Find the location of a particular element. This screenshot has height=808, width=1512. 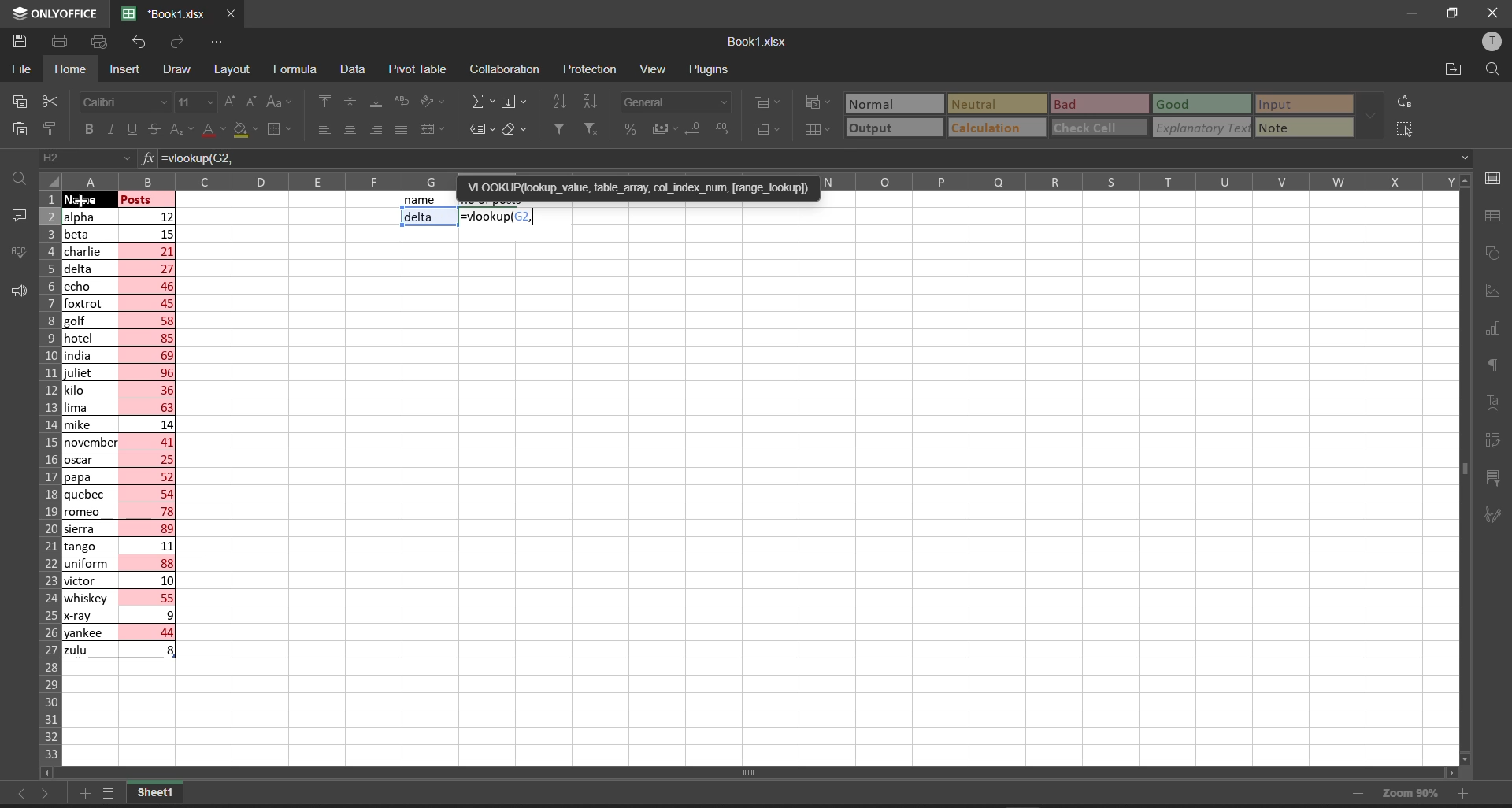

Neutral is located at coordinates (976, 103).